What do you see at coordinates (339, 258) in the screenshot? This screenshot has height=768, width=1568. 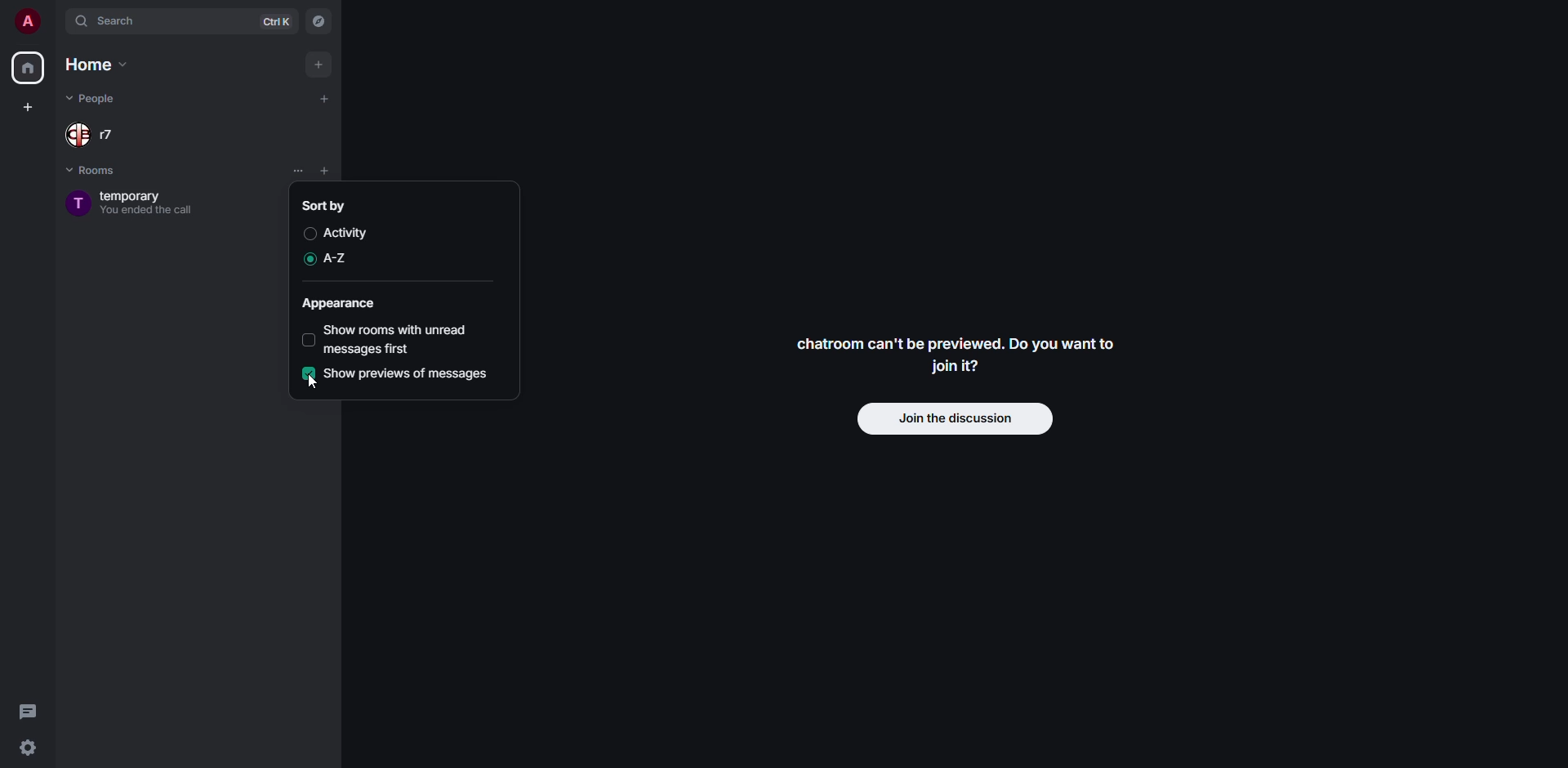 I see `a-z` at bounding box center [339, 258].